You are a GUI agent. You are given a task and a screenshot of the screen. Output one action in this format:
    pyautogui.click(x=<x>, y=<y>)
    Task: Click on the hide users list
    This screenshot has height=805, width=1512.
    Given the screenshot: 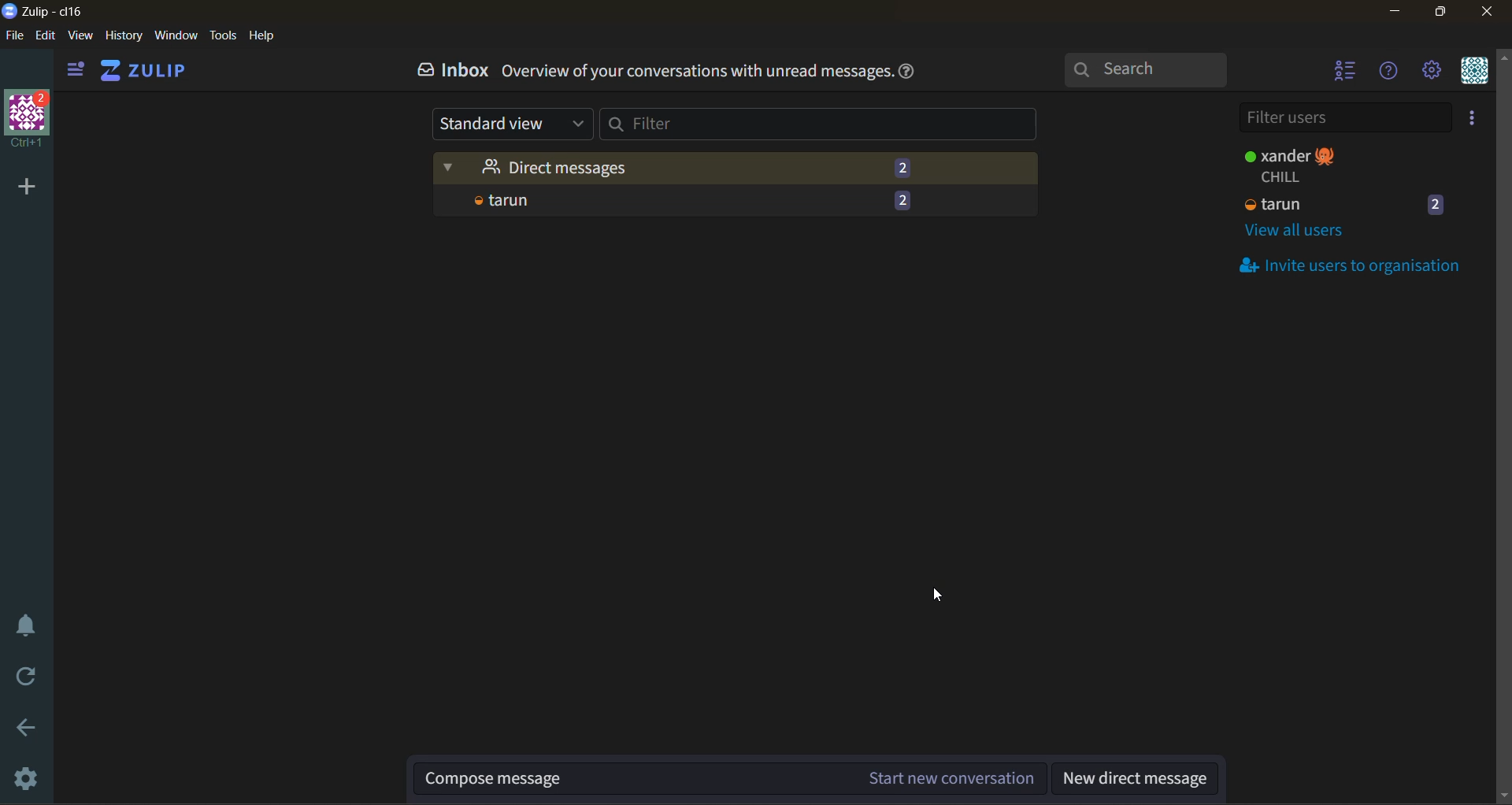 What is the action you would take?
    pyautogui.click(x=1340, y=75)
    